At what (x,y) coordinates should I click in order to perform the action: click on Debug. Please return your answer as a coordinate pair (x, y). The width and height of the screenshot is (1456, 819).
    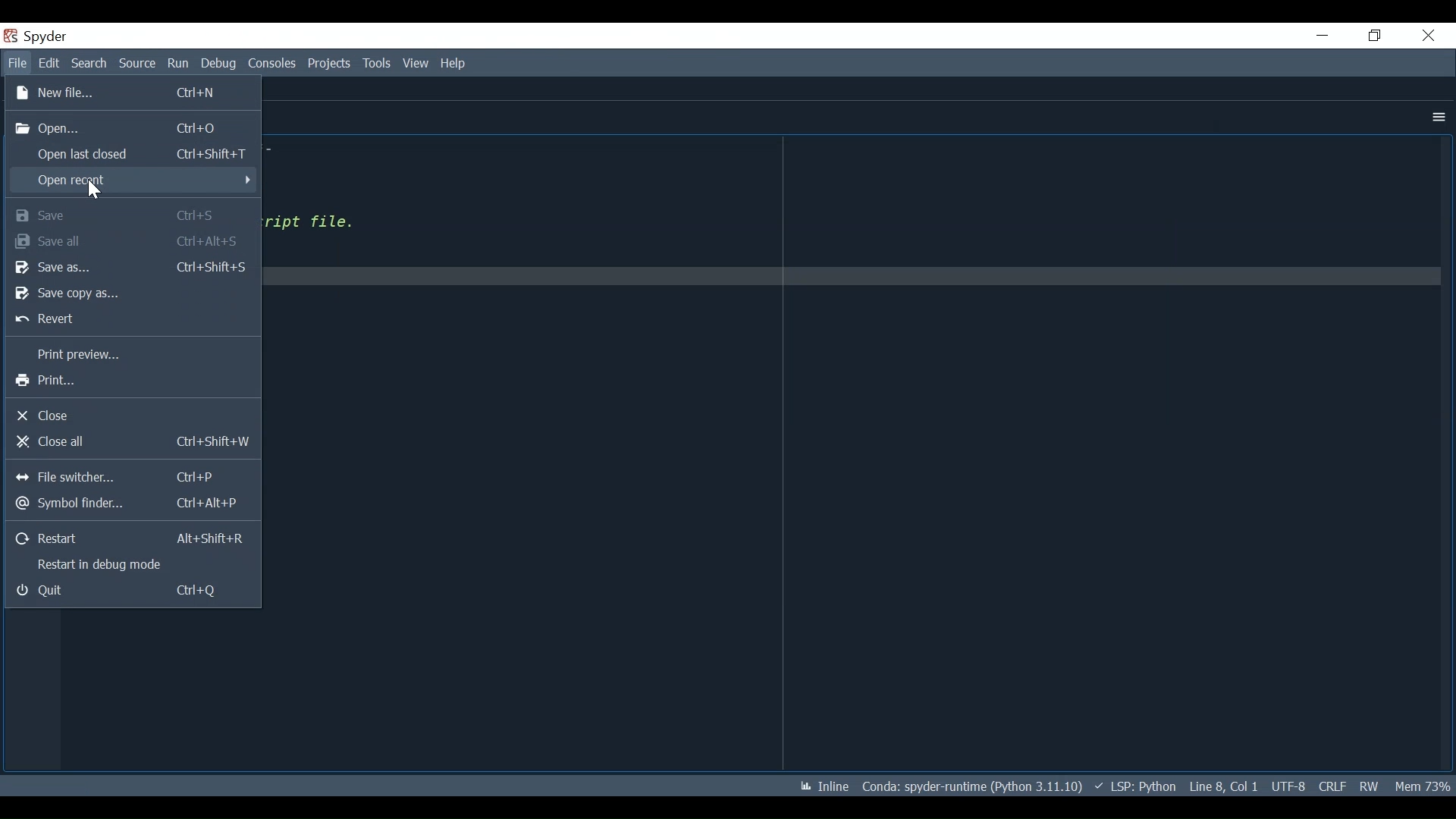
    Looking at the image, I should click on (220, 64).